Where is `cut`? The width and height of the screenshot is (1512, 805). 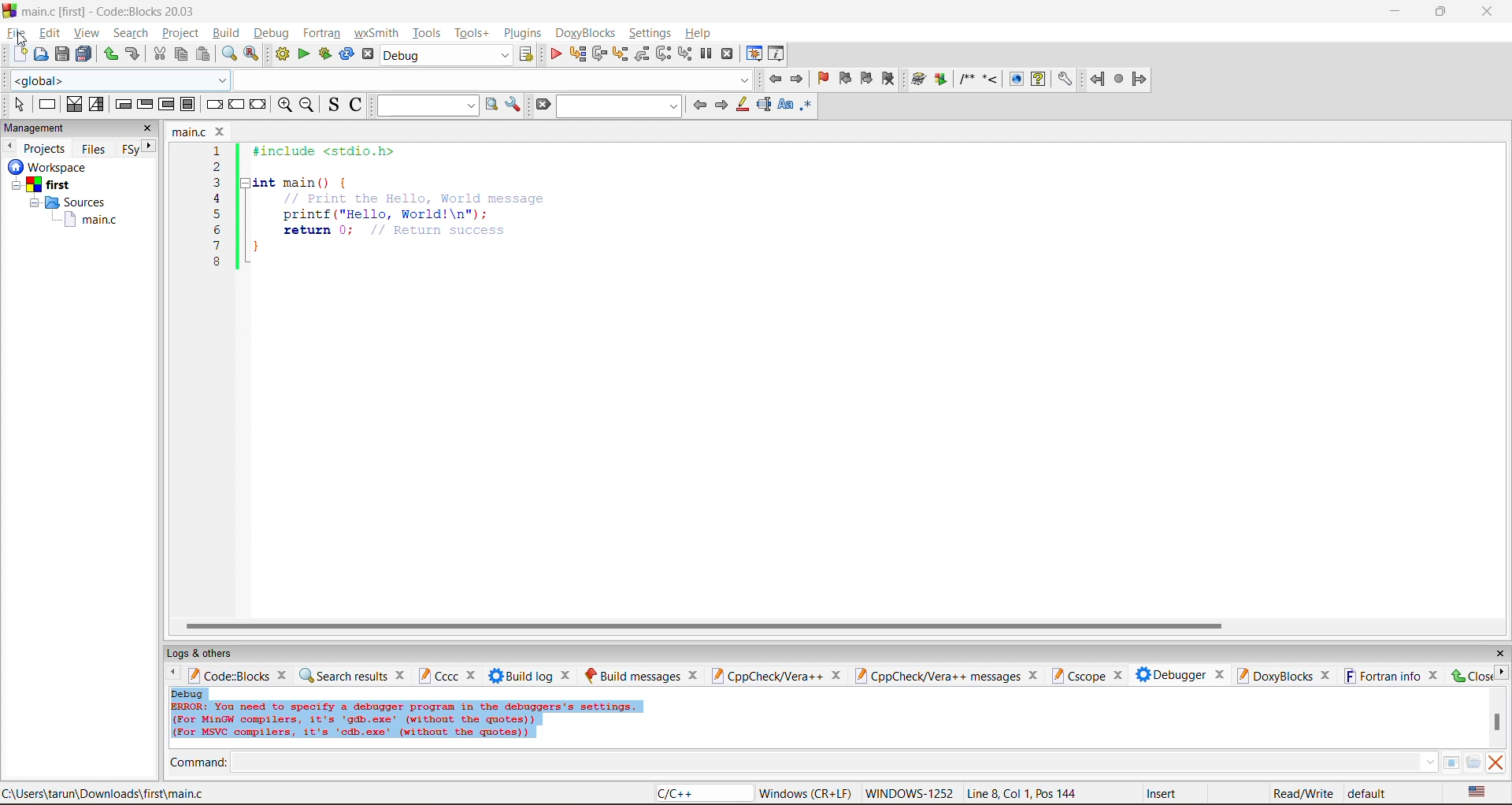 cut is located at coordinates (159, 54).